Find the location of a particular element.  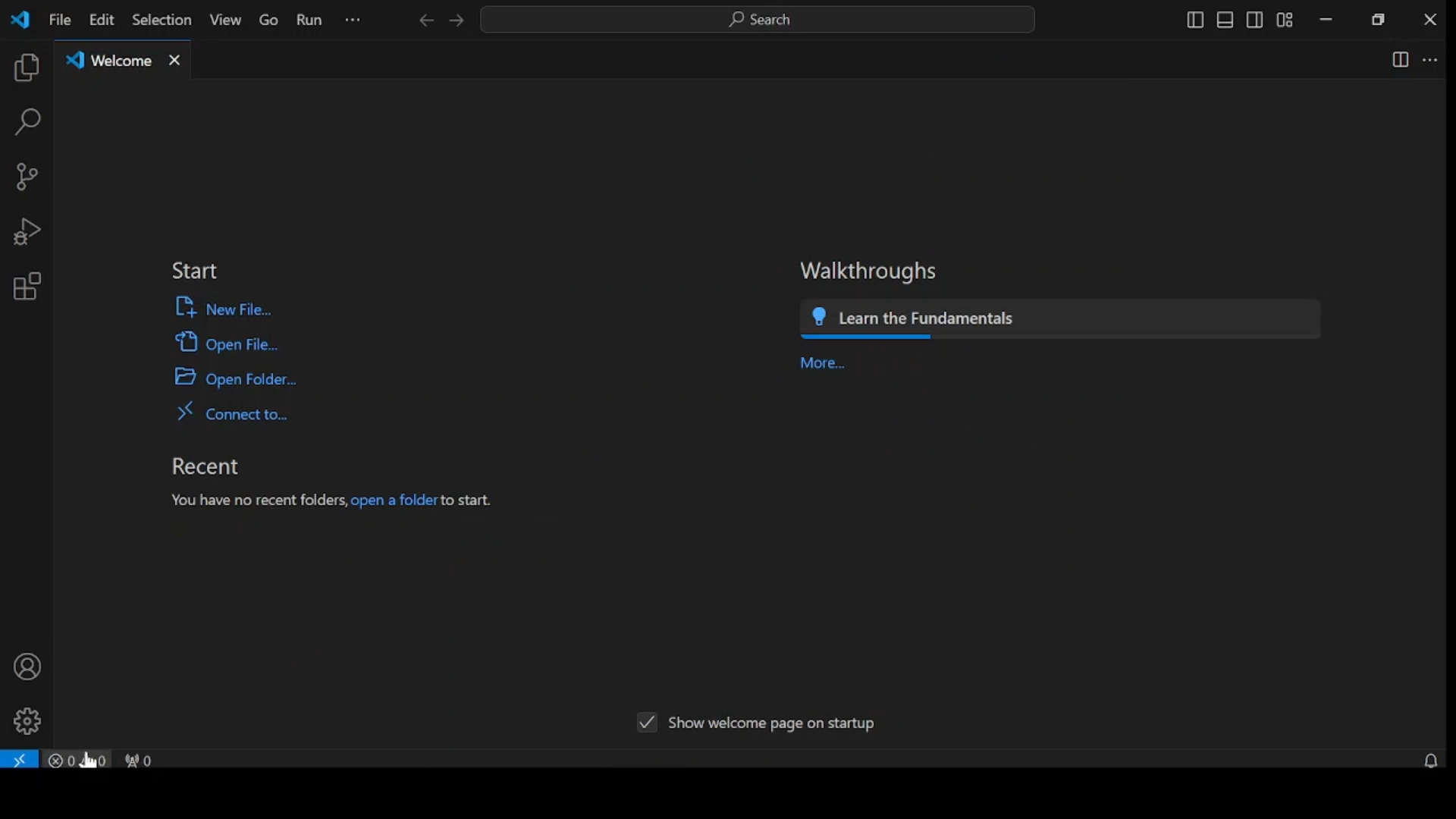

split editor right split editor down is located at coordinates (1398, 59).